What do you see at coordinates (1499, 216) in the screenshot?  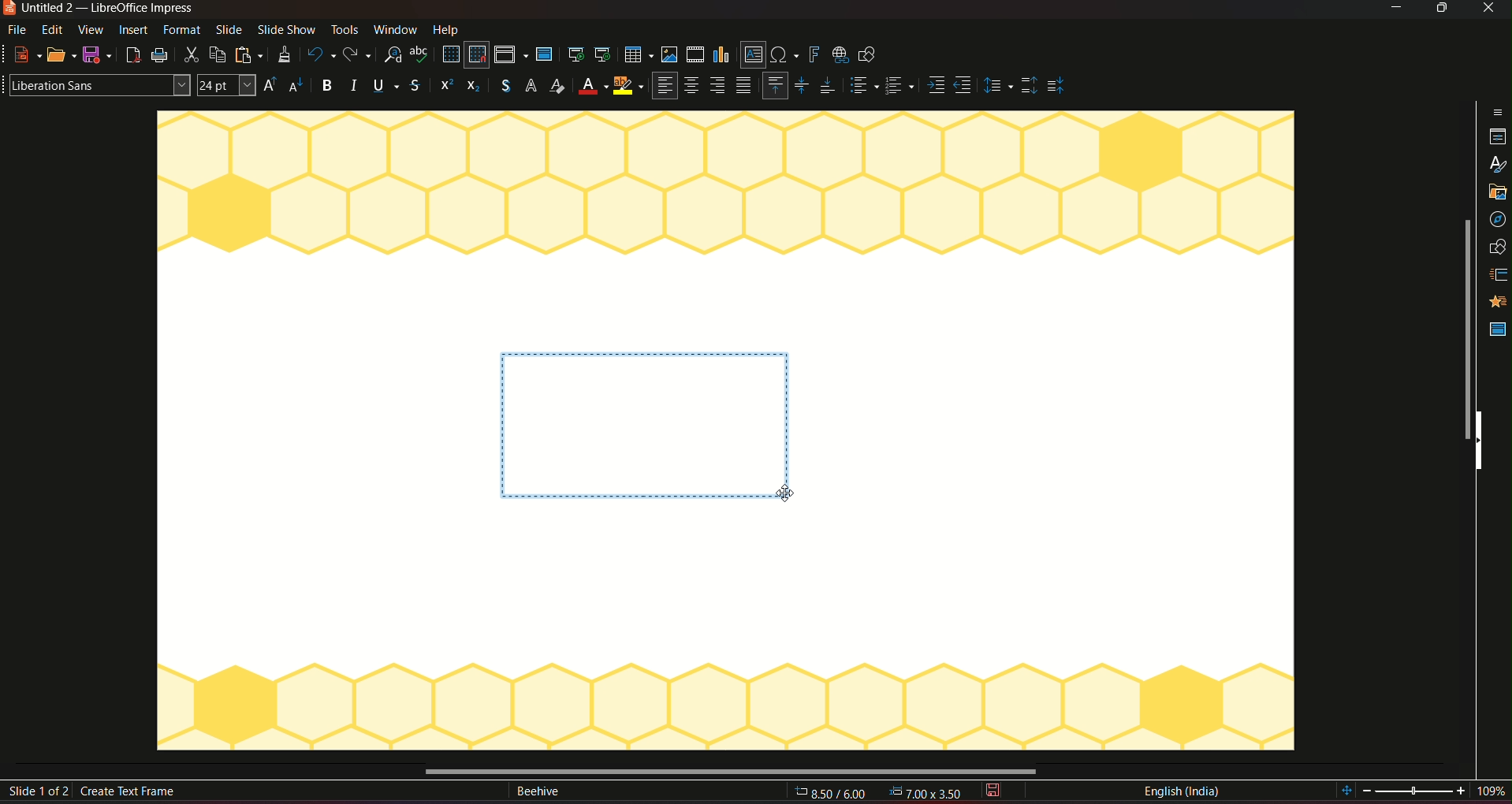 I see `shapes` at bounding box center [1499, 216].